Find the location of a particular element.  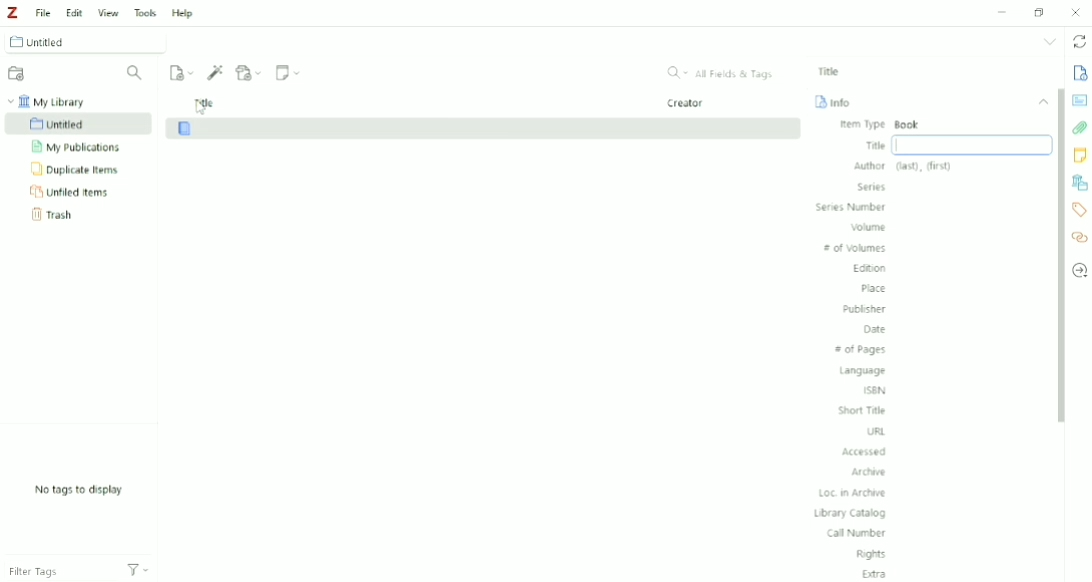

Collapse section is located at coordinates (1044, 102).